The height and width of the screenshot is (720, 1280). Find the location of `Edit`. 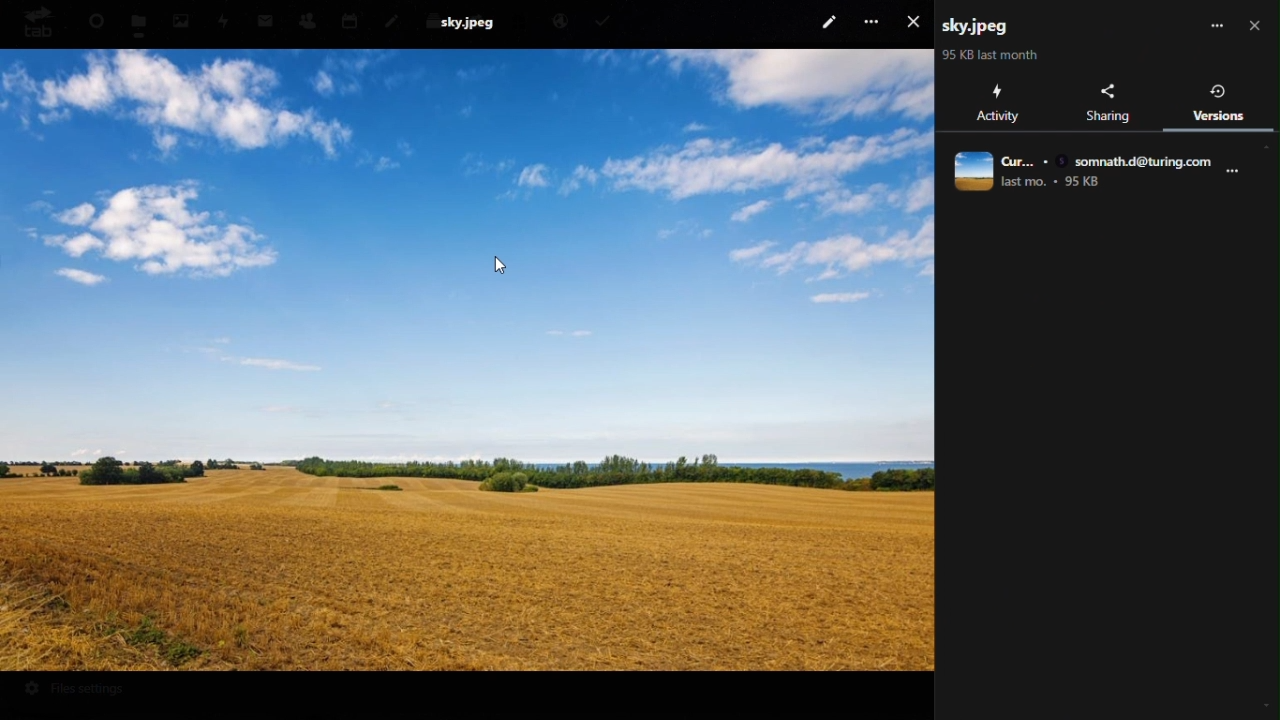

Edit is located at coordinates (828, 20).